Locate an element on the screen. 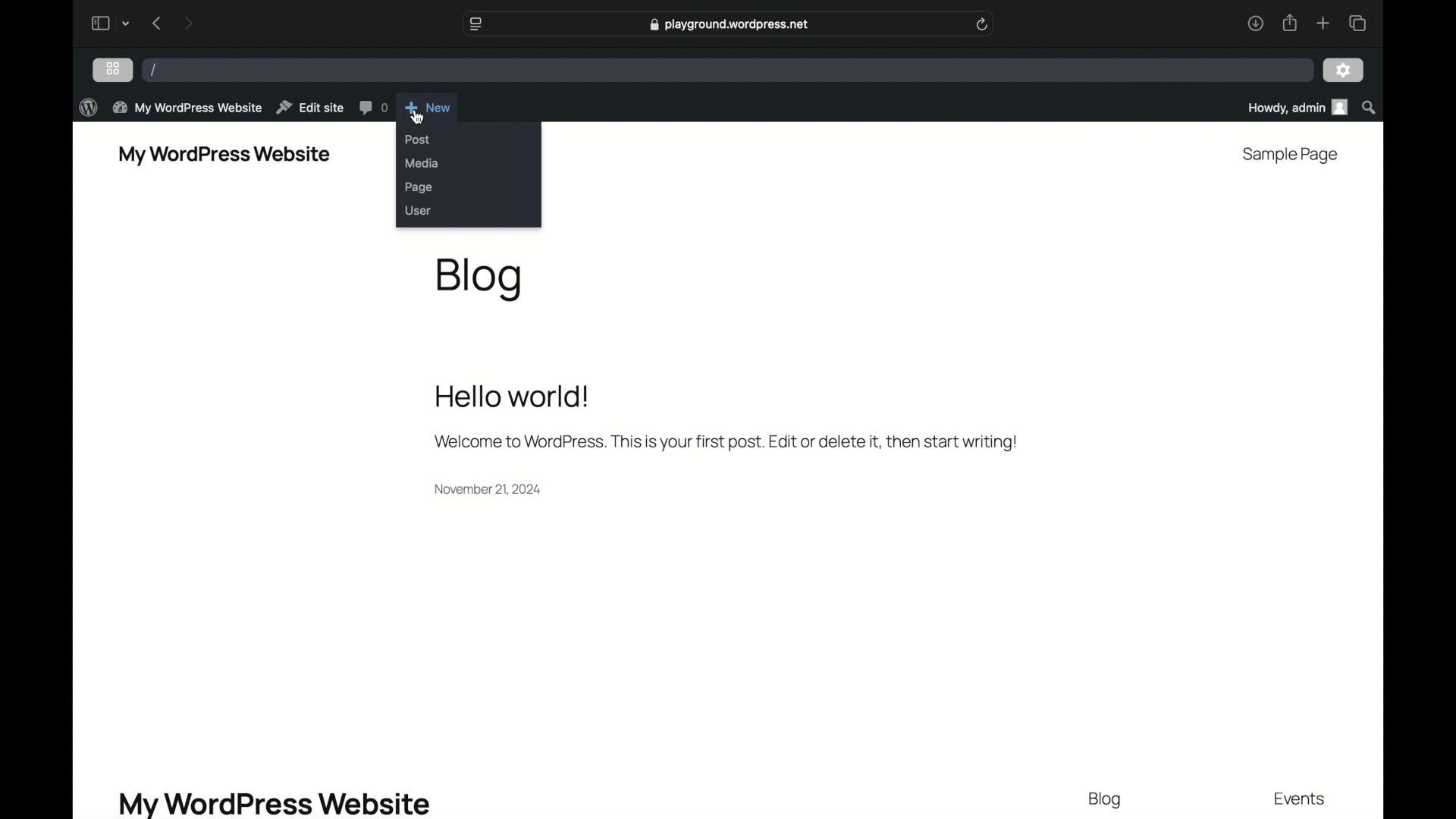 This screenshot has width=1456, height=819. ion view is located at coordinates (114, 68).